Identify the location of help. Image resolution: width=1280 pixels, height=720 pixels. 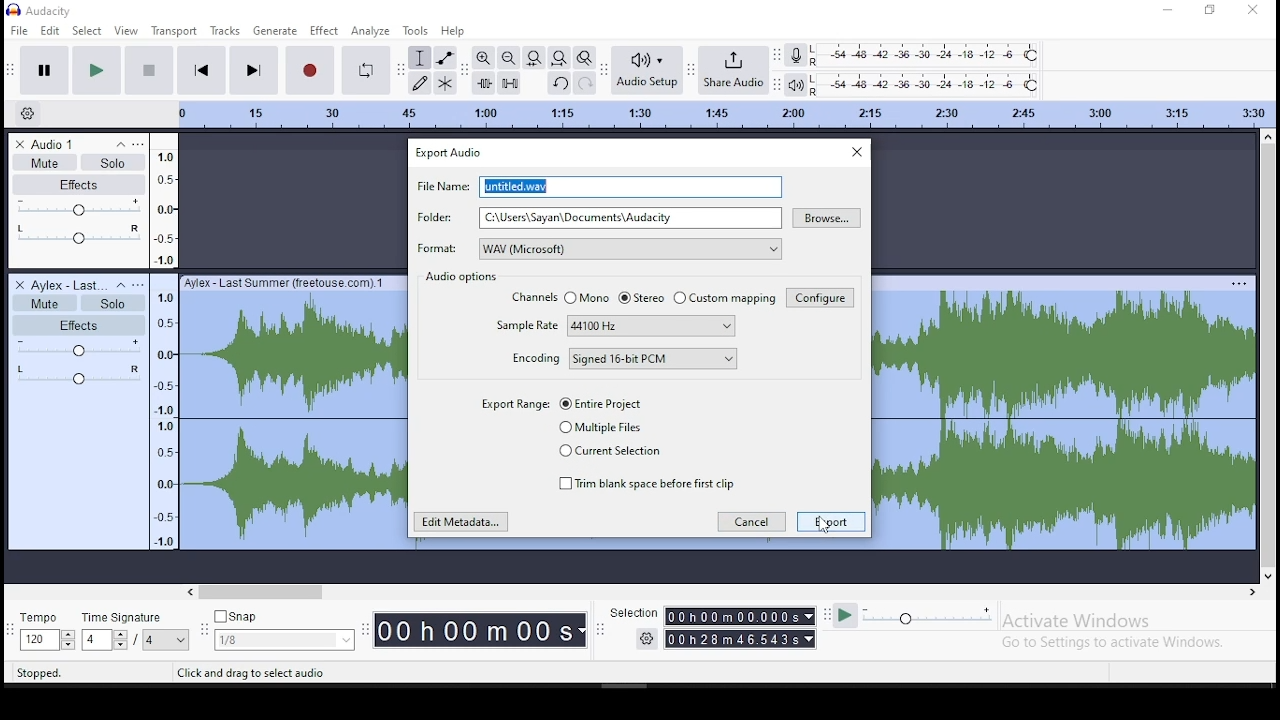
(452, 31).